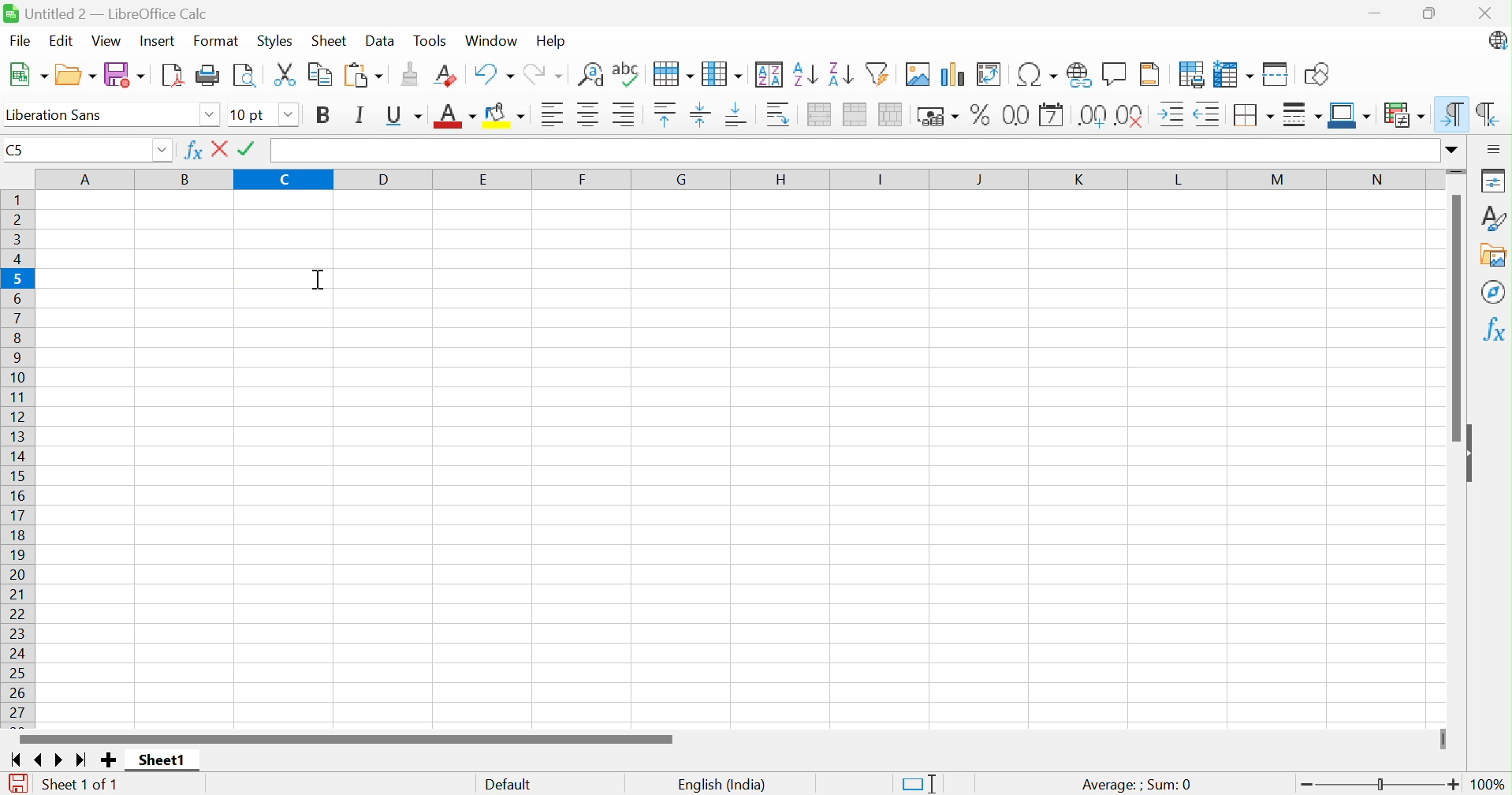  I want to click on Border color, so click(1351, 116).